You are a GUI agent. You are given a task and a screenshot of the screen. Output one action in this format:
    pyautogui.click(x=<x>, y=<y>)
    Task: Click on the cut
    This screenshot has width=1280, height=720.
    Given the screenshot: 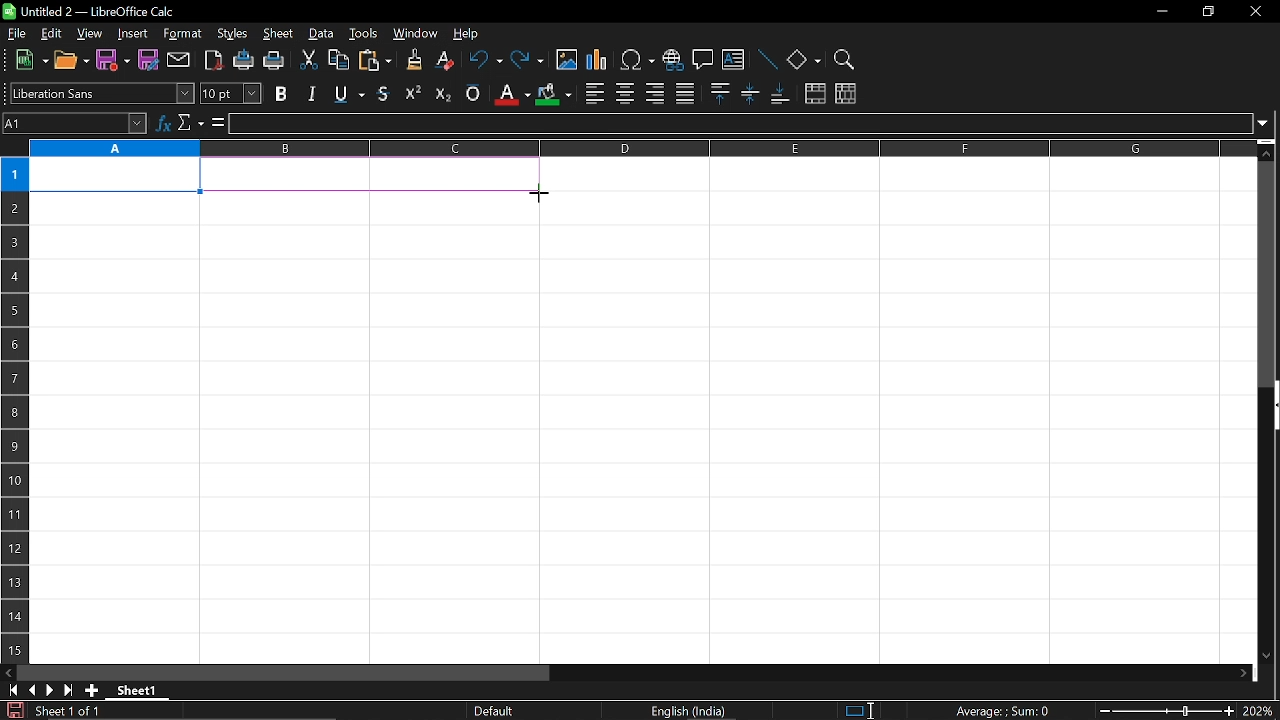 What is the action you would take?
    pyautogui.click(x=310, y=60)
    